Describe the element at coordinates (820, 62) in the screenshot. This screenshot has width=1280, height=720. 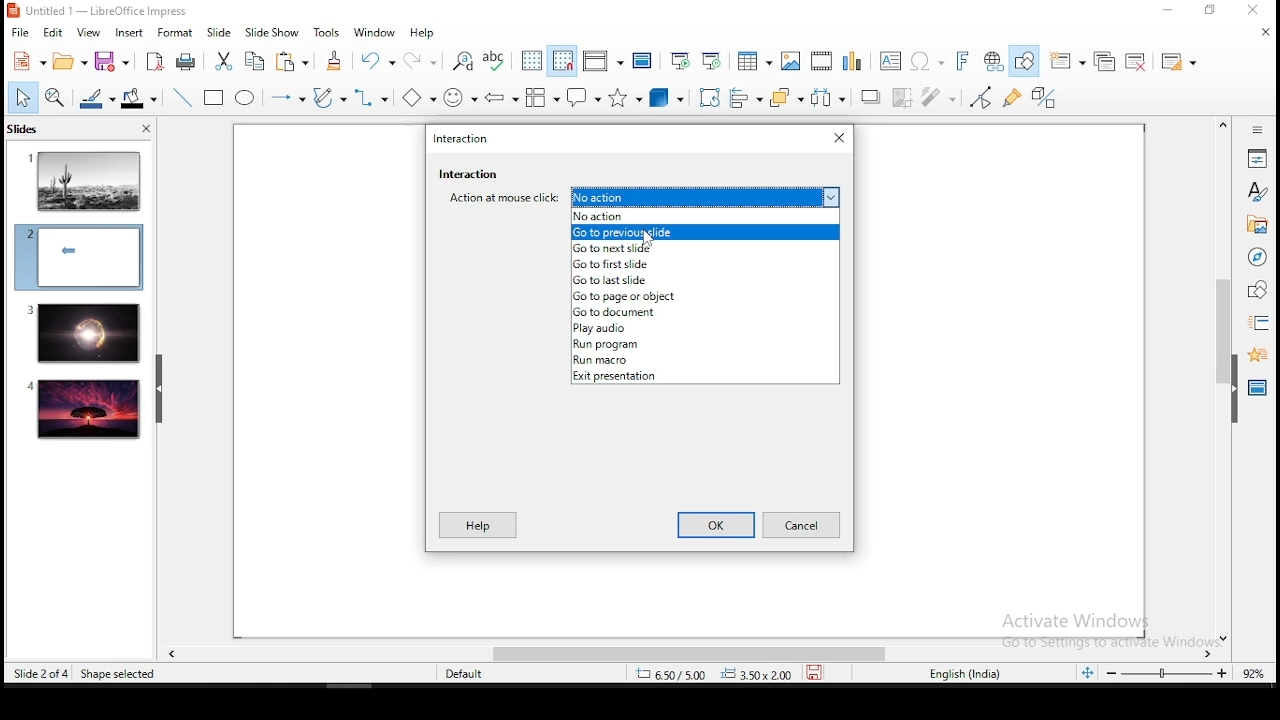
I see `insert audio and video` at that location.